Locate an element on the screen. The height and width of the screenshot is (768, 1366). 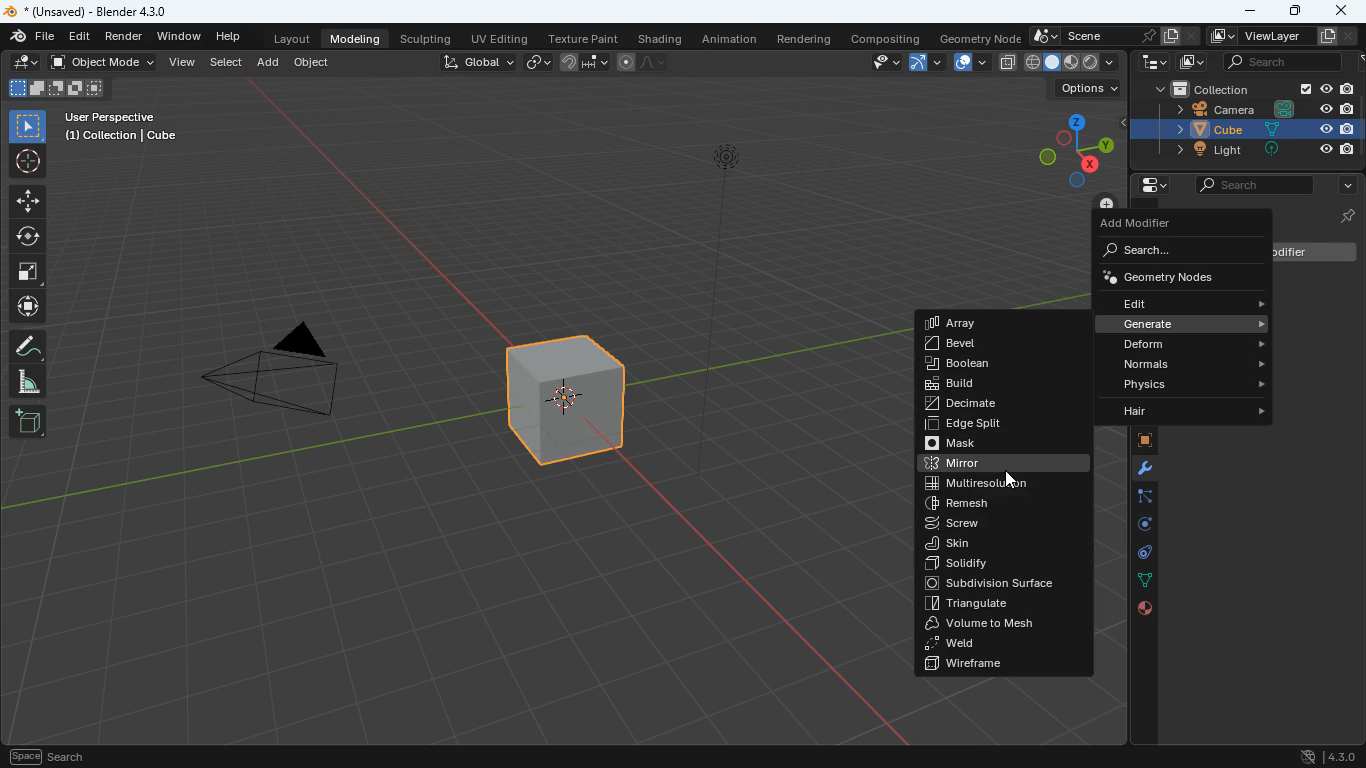
close is located at coordinates (1344, 10).